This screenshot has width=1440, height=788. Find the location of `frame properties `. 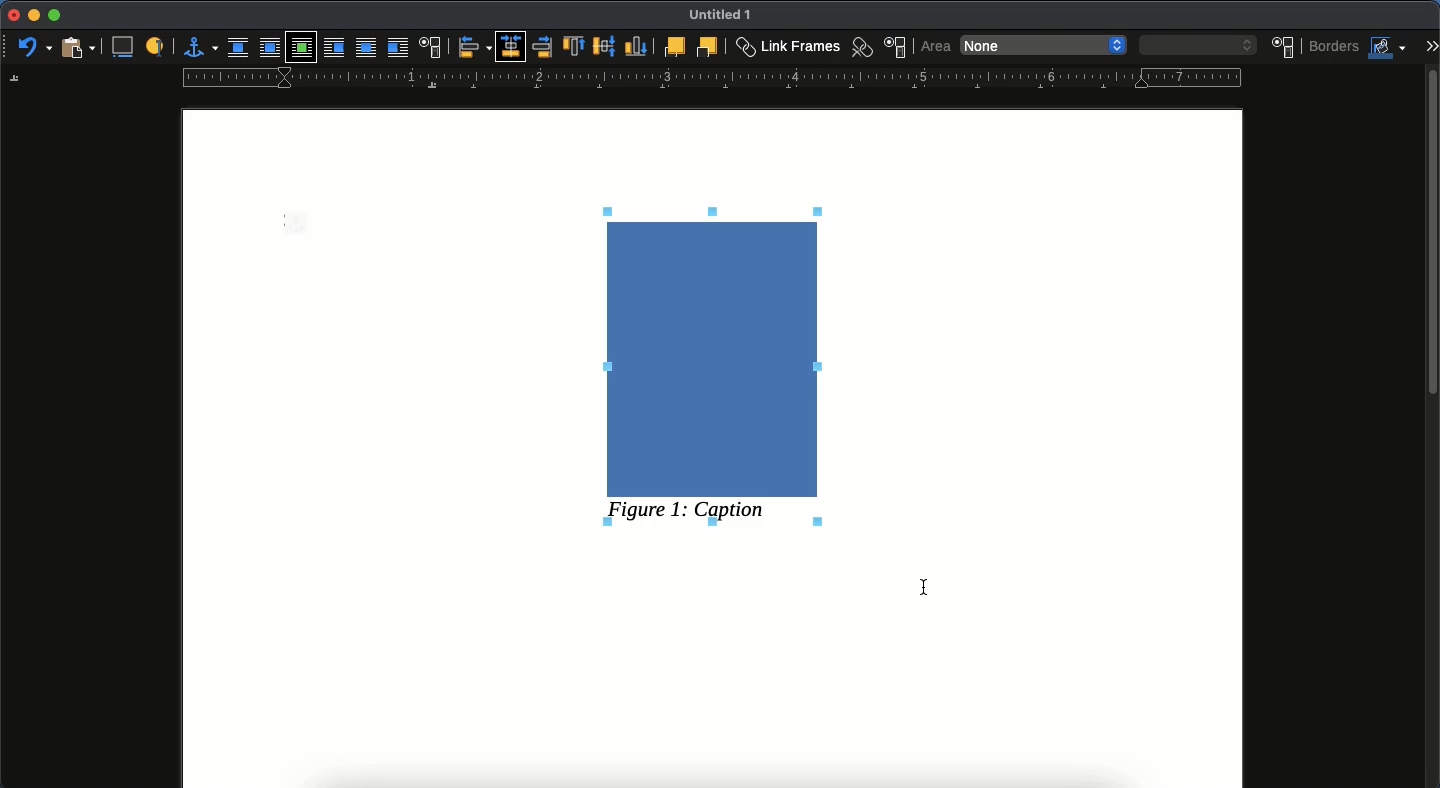

frame properties  is located at coordinates (894, 47).